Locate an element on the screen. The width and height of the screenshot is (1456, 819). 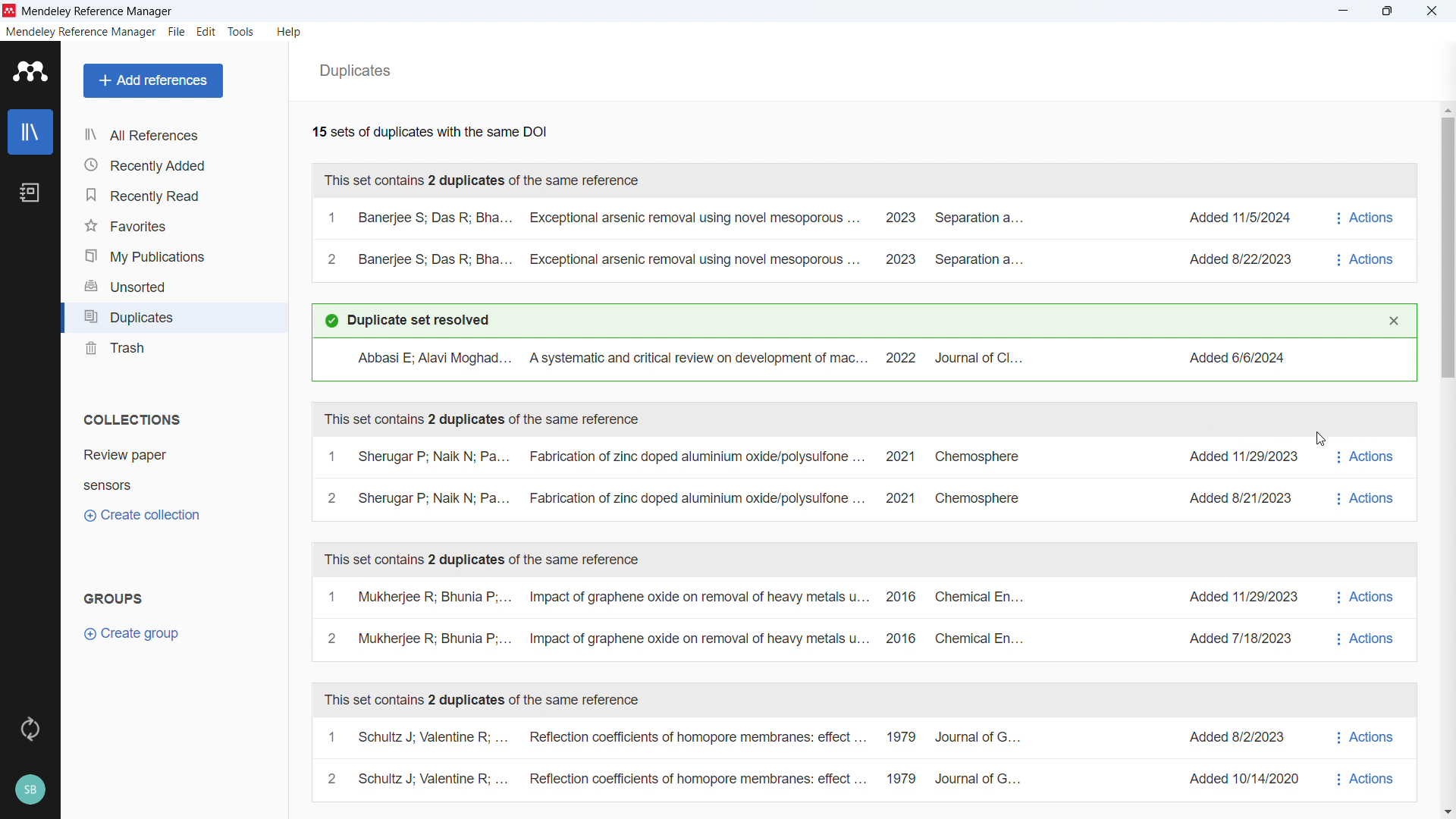
help is located at coordinates (290, 32).